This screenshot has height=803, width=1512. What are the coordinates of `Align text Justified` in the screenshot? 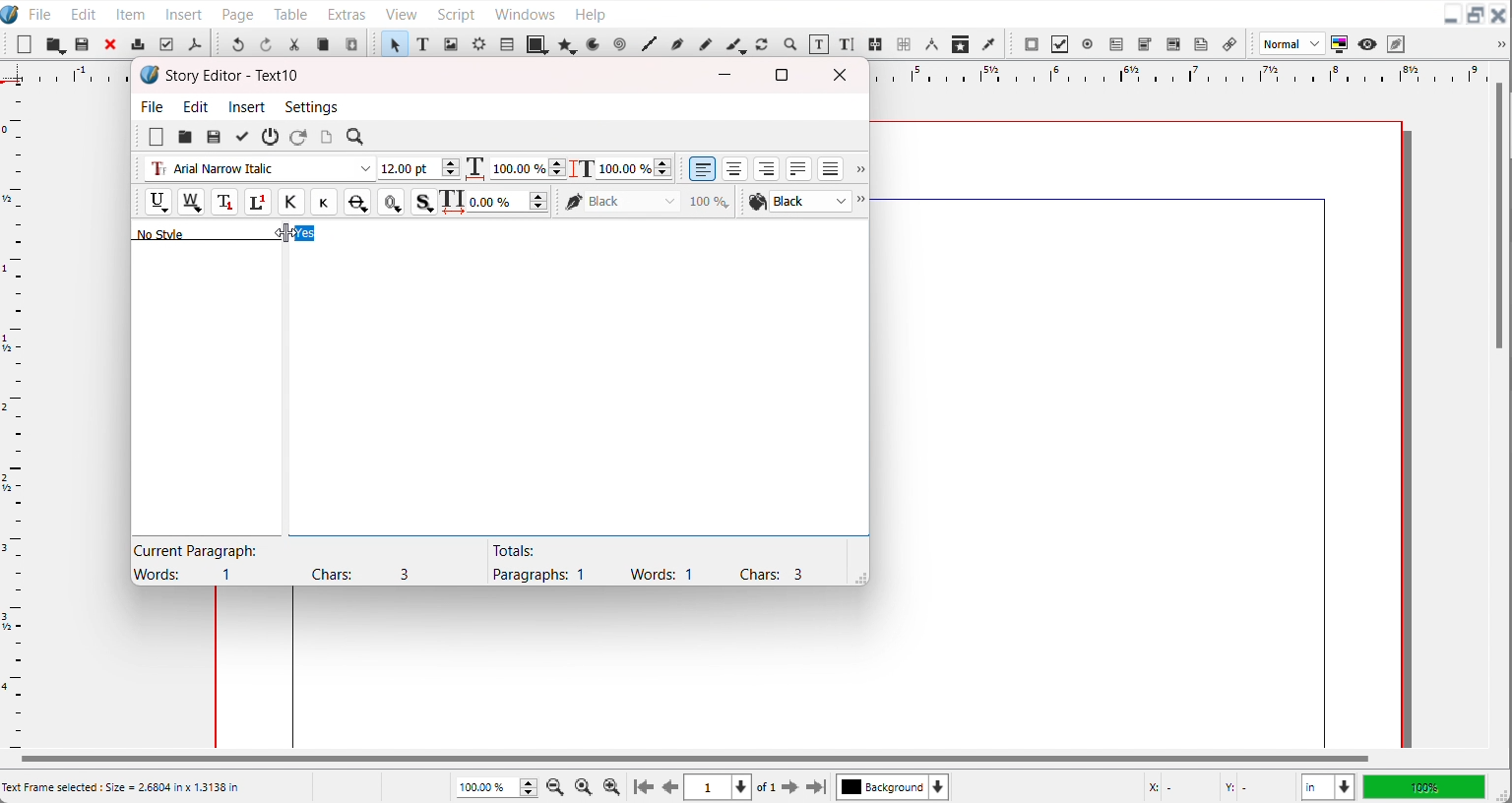 It's located at (799, 168).